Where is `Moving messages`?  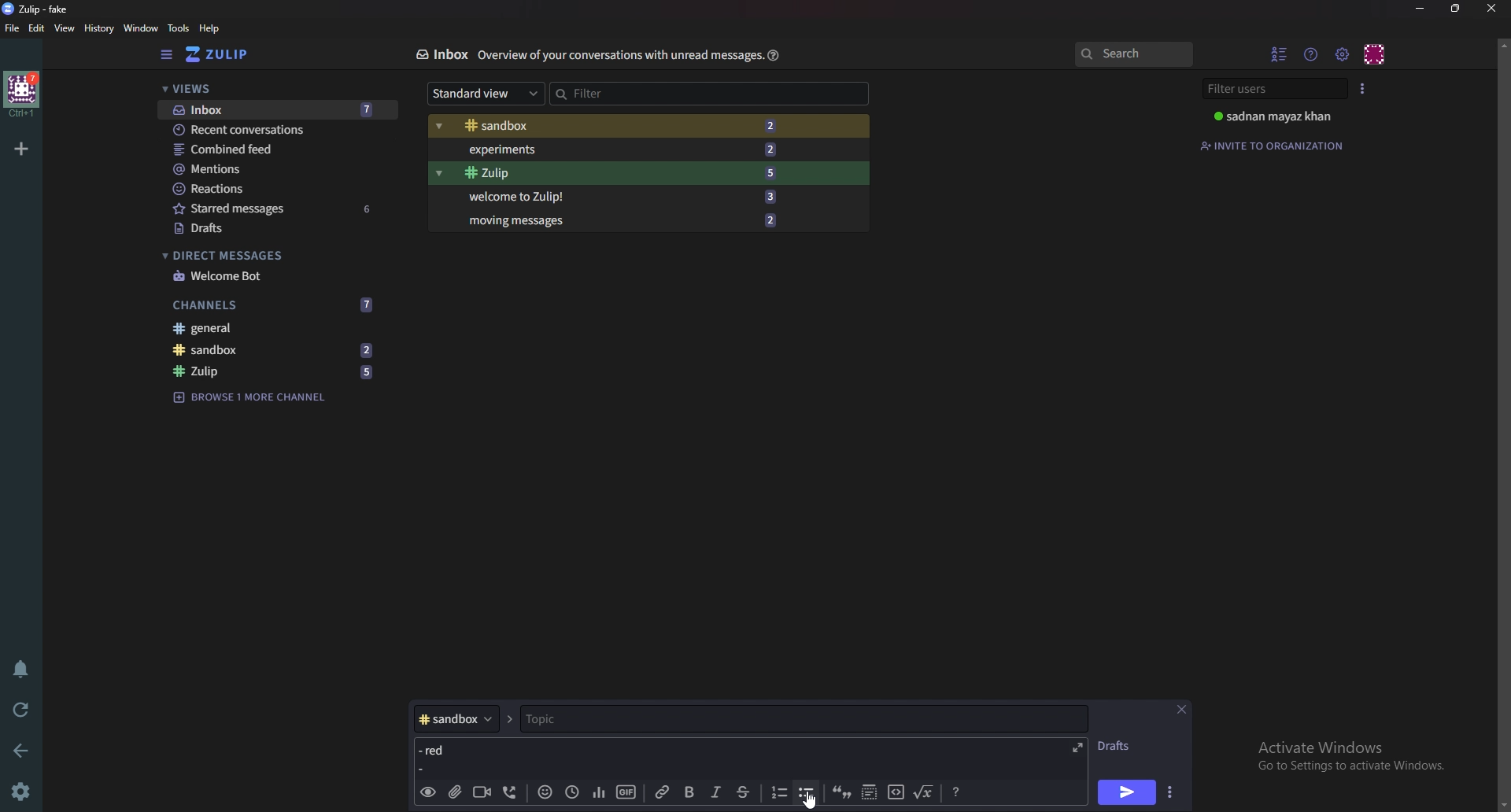 Moving messages is located at coordinates (621, 219).